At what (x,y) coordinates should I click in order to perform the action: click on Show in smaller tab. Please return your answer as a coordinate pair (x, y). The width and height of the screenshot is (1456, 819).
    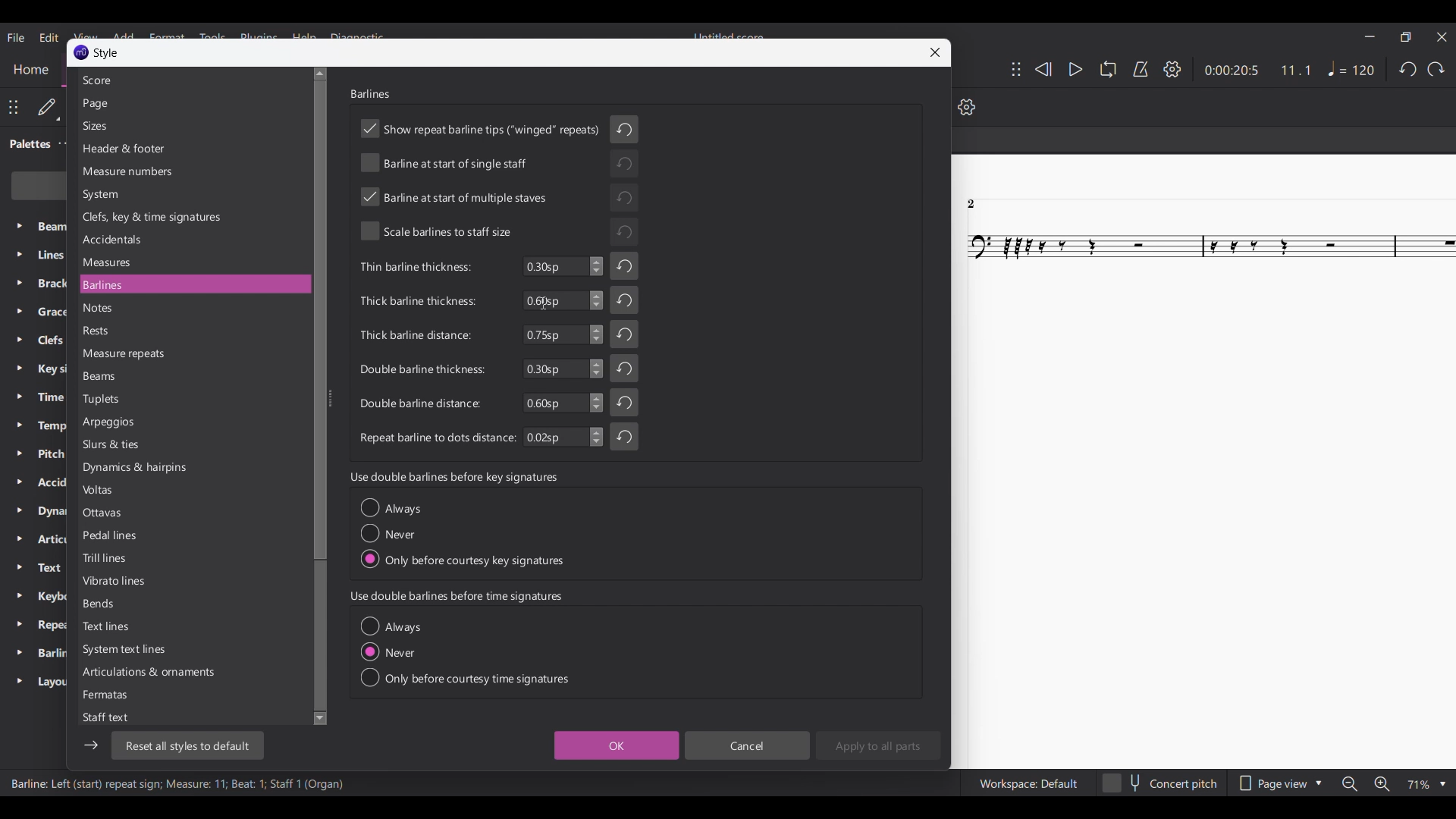
    Looking at the image, I should click on (1406, 36).